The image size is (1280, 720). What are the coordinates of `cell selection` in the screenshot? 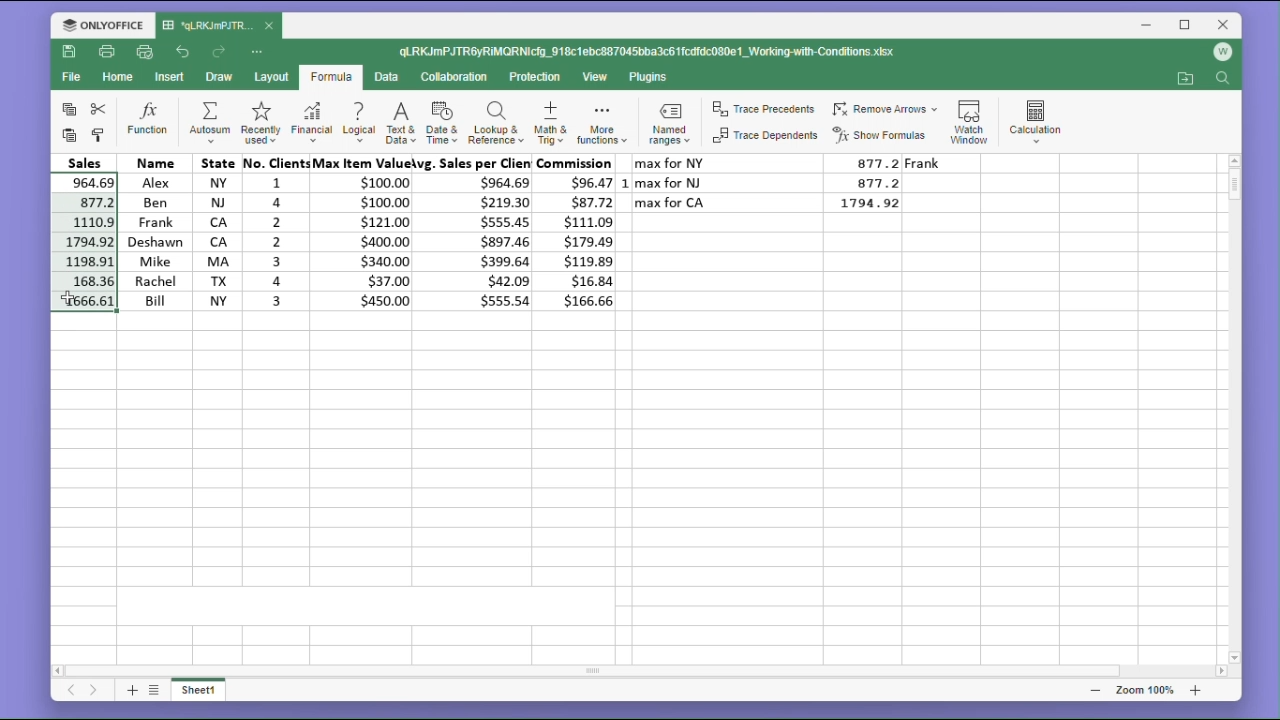 It's located at (84, 243).